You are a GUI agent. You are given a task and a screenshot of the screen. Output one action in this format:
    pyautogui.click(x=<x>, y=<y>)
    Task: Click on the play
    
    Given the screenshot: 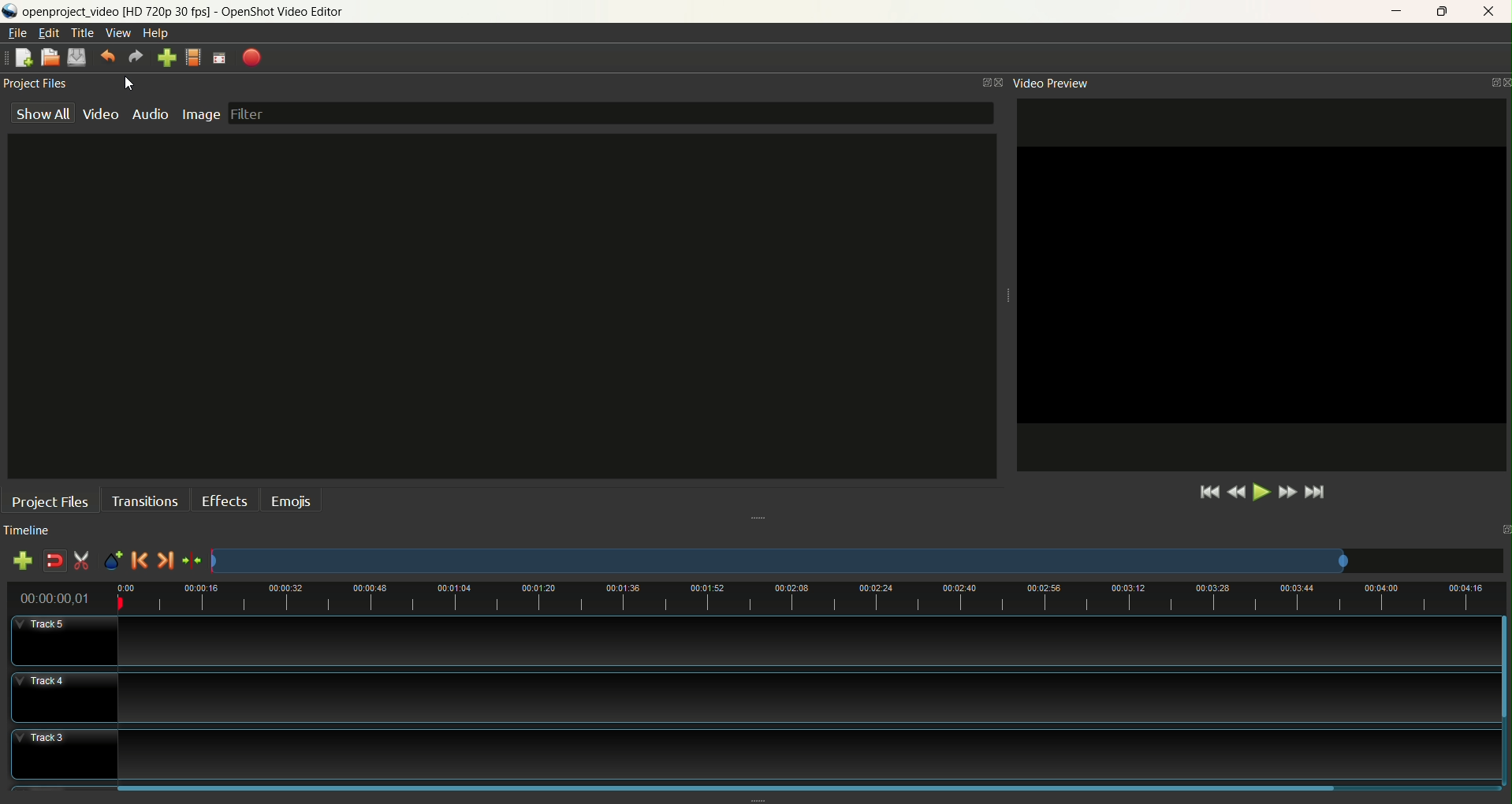 What is the action you would take?
    pyautogui.click(x=1262, y=491)
    